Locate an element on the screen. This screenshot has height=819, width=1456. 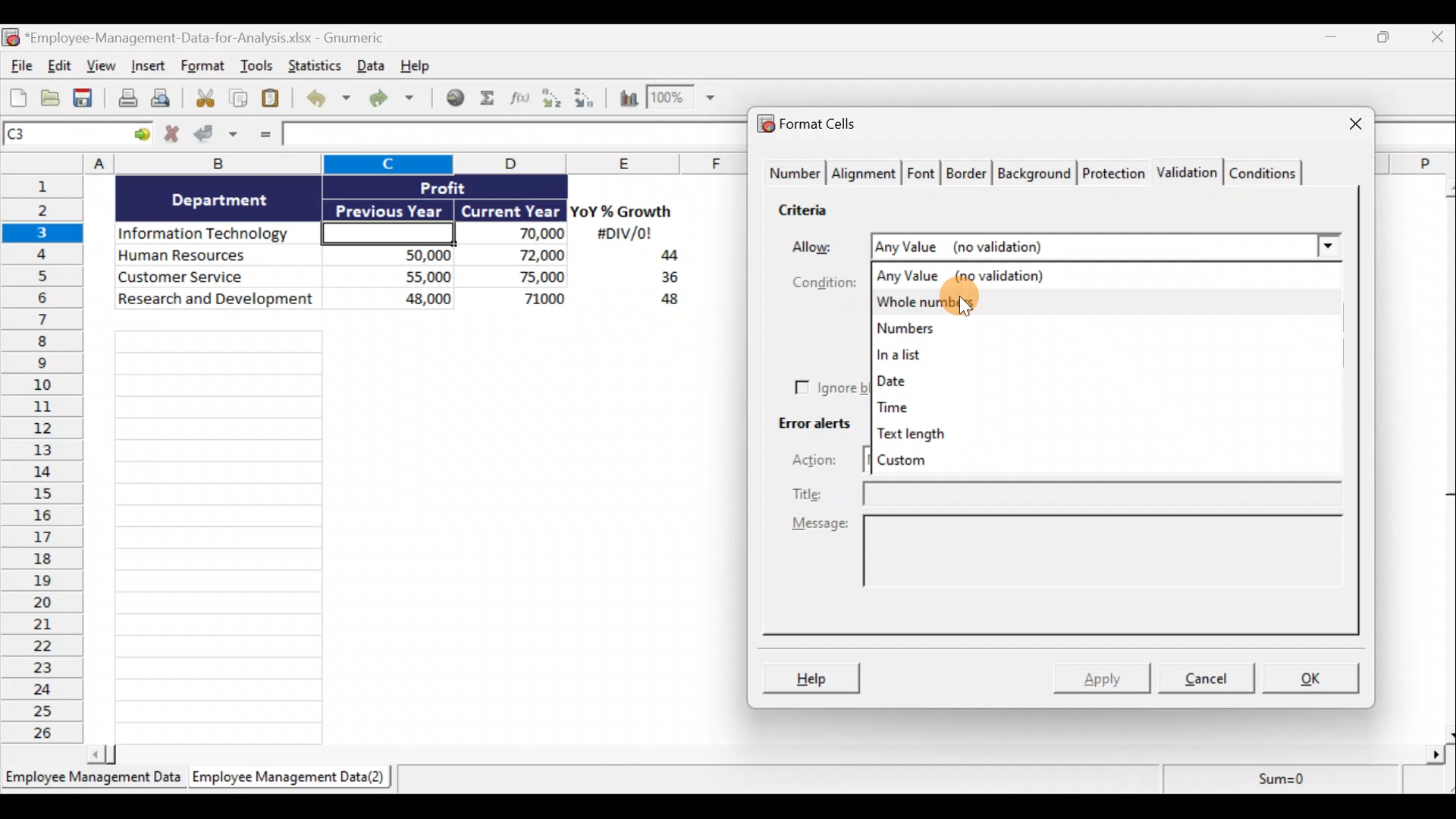
Number is located at coordinates (793, 174).